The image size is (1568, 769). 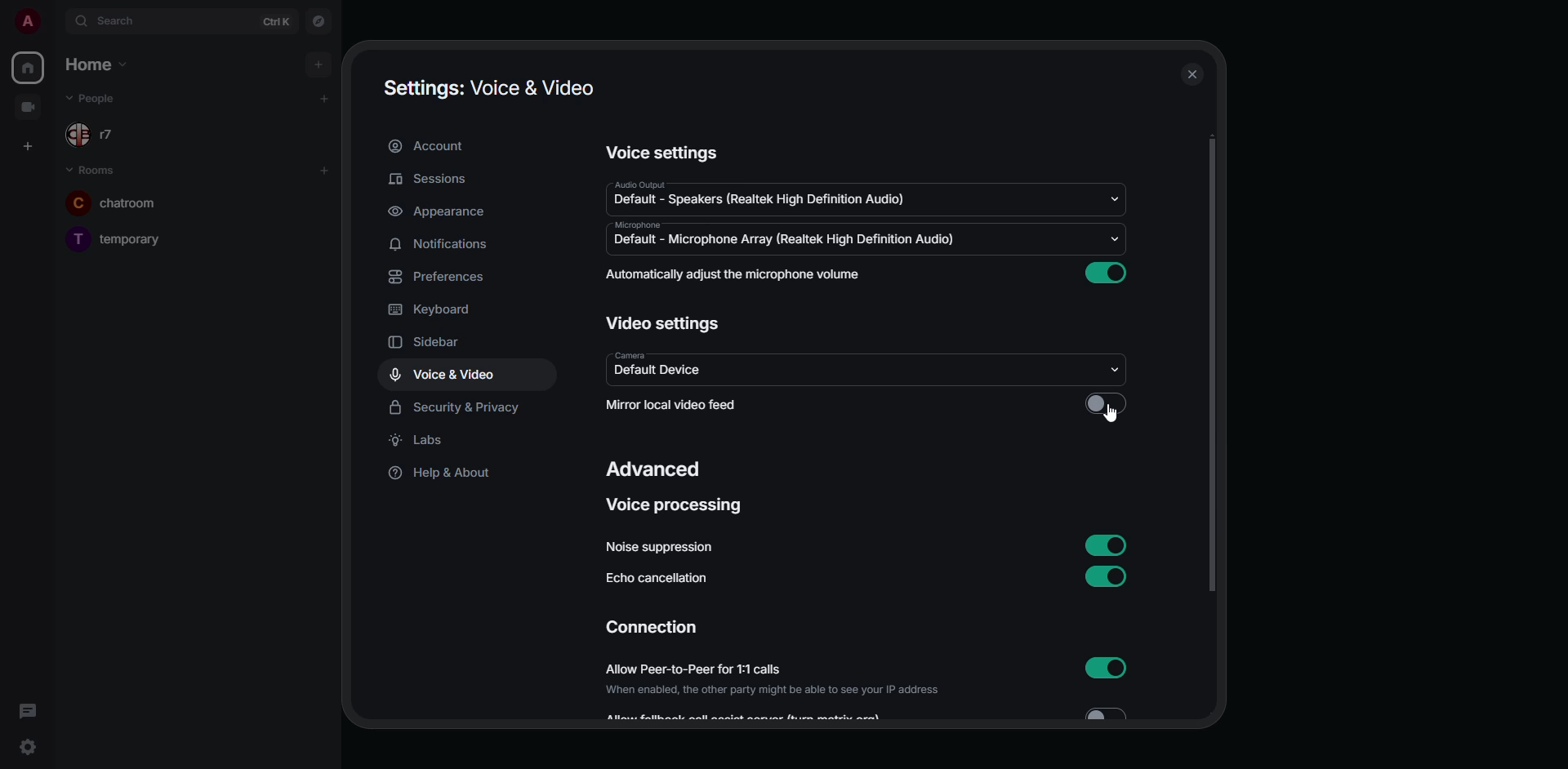 What do you see at coordinates (443, 375) in the screenshot?
I see `voice & video` at bounding box center [443, 375].